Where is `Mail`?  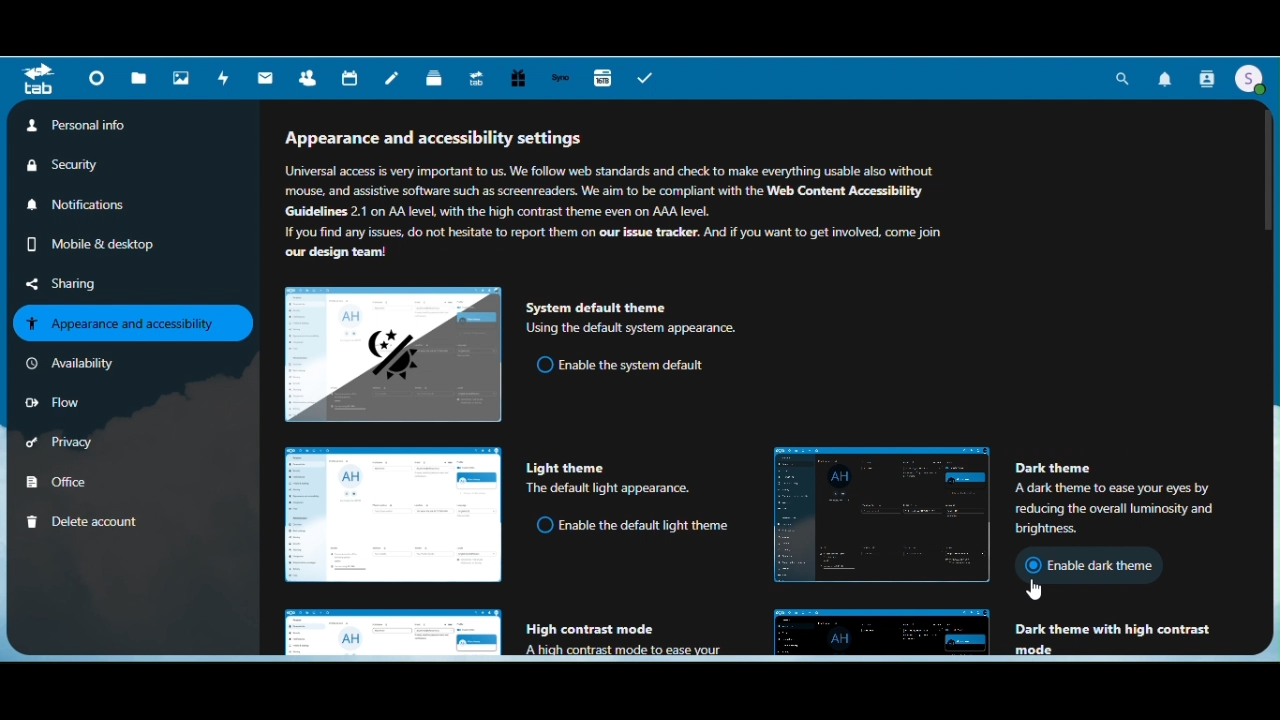
Mail is located at coordinates (264, 79).